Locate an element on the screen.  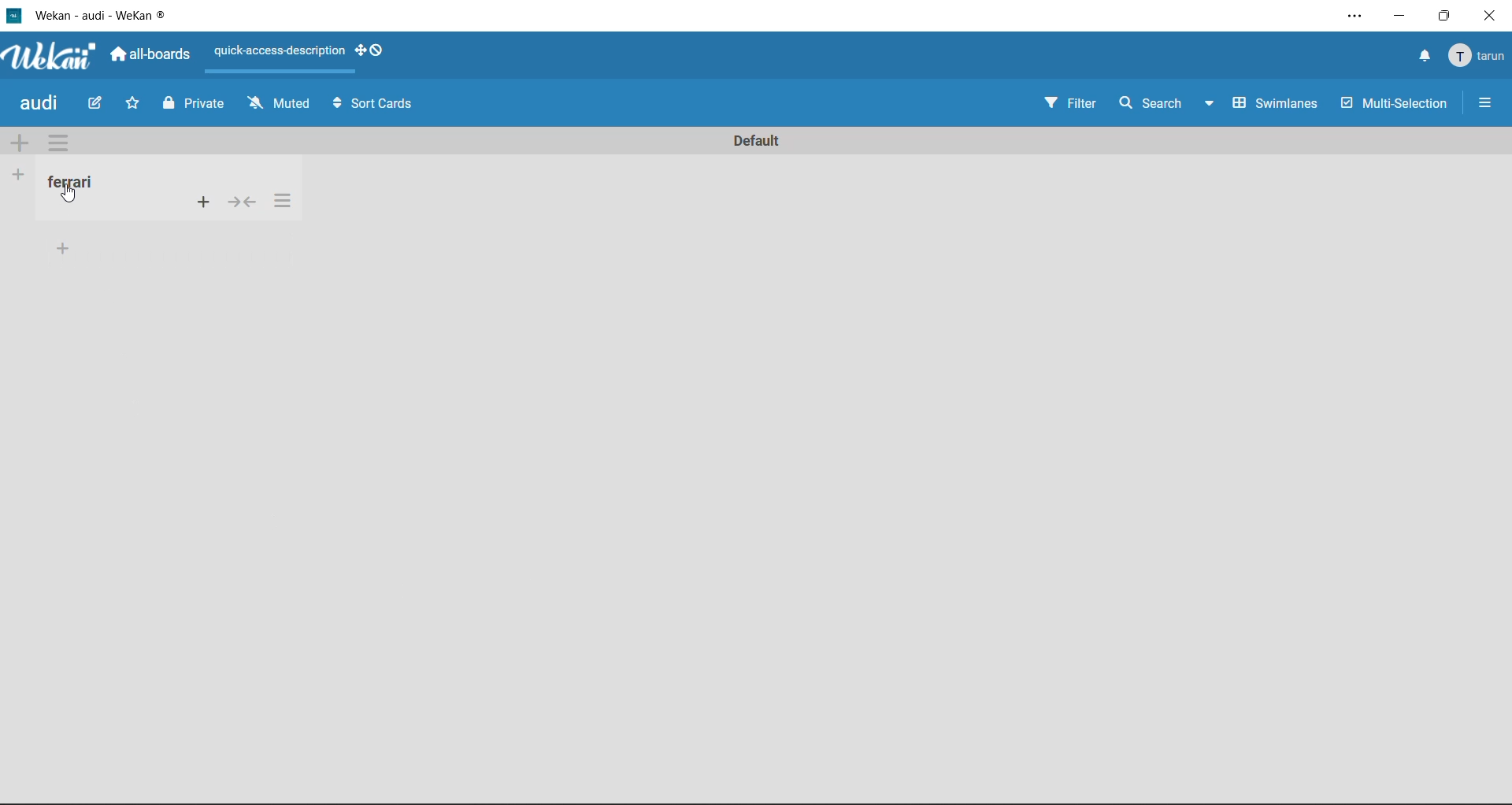
Swimlanes is located at coordinates (1276, 106).